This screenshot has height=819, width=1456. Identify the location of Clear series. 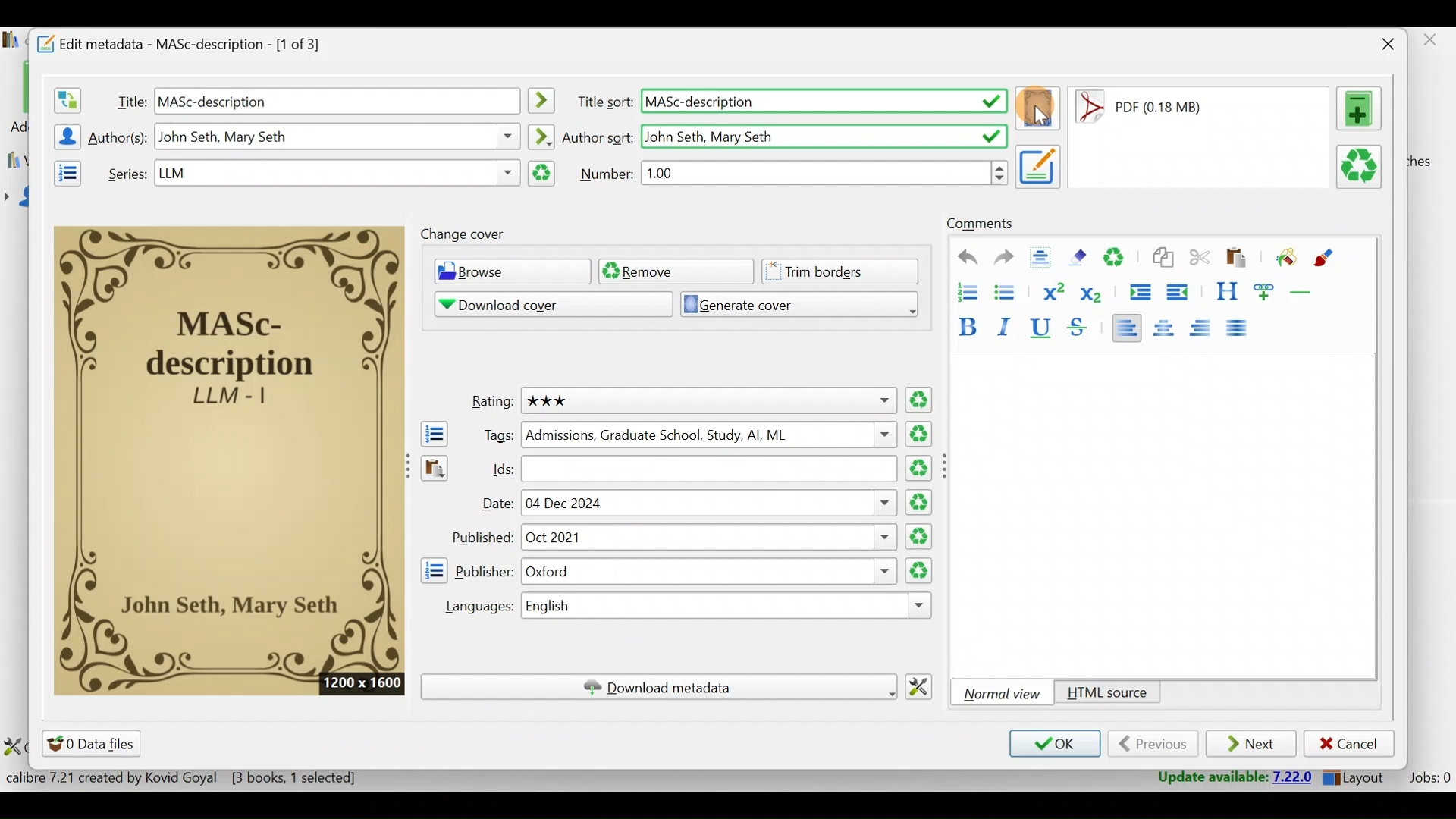
(542, 174).